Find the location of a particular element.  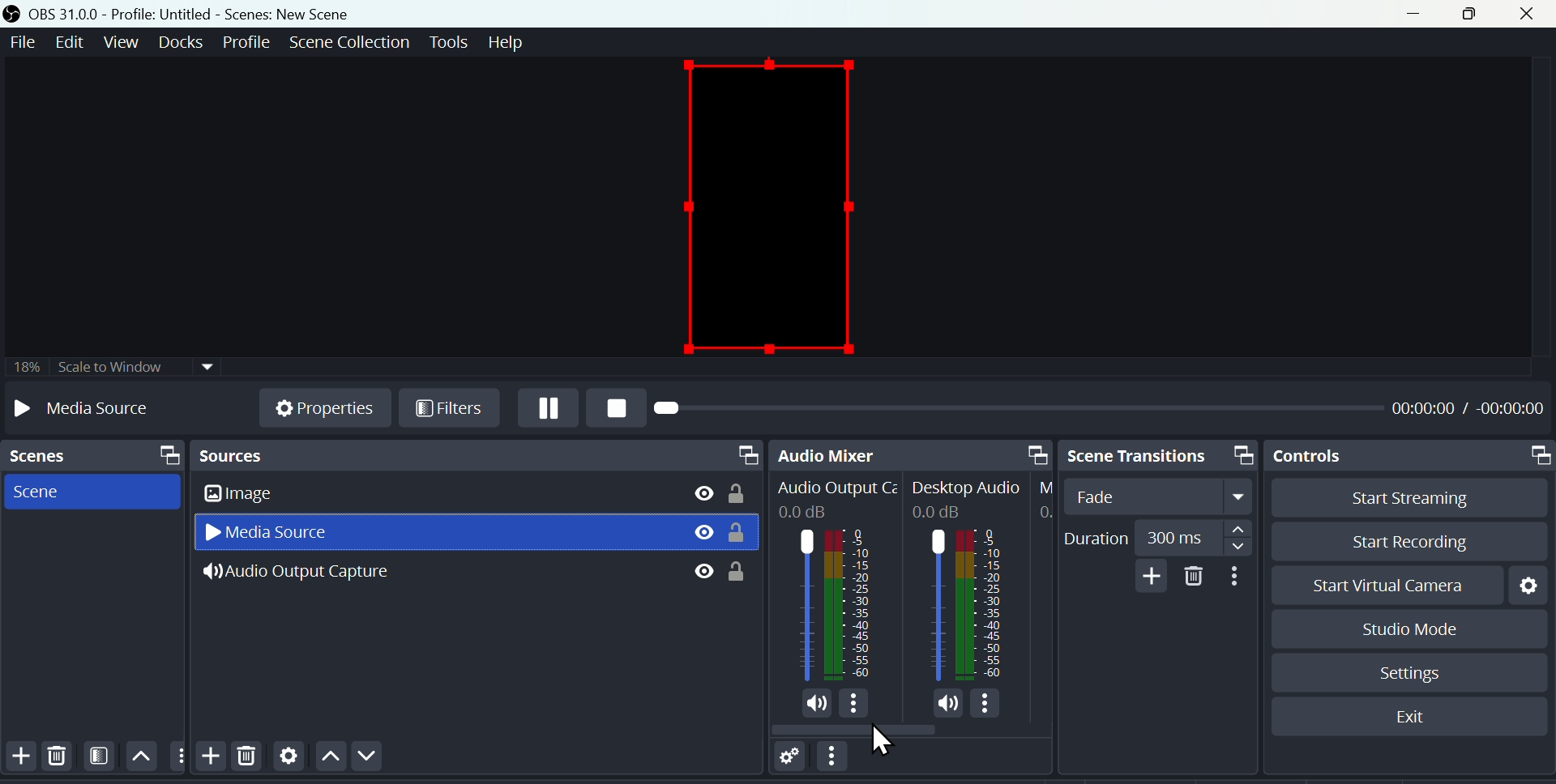

close is located at coordinates (1528, 15).